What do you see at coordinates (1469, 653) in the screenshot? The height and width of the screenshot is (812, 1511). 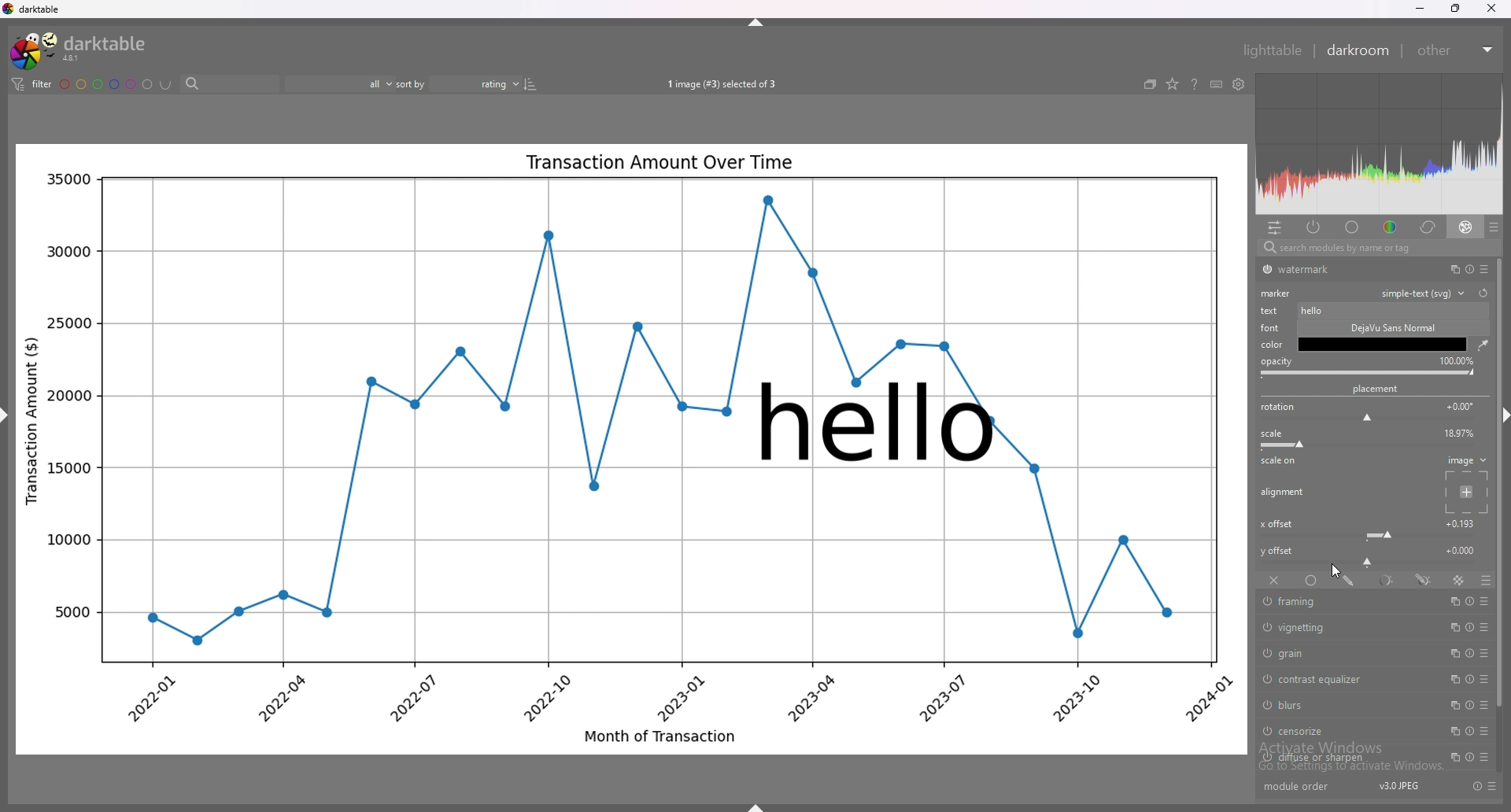 I see `reset` at bounding box center [1469, 653].